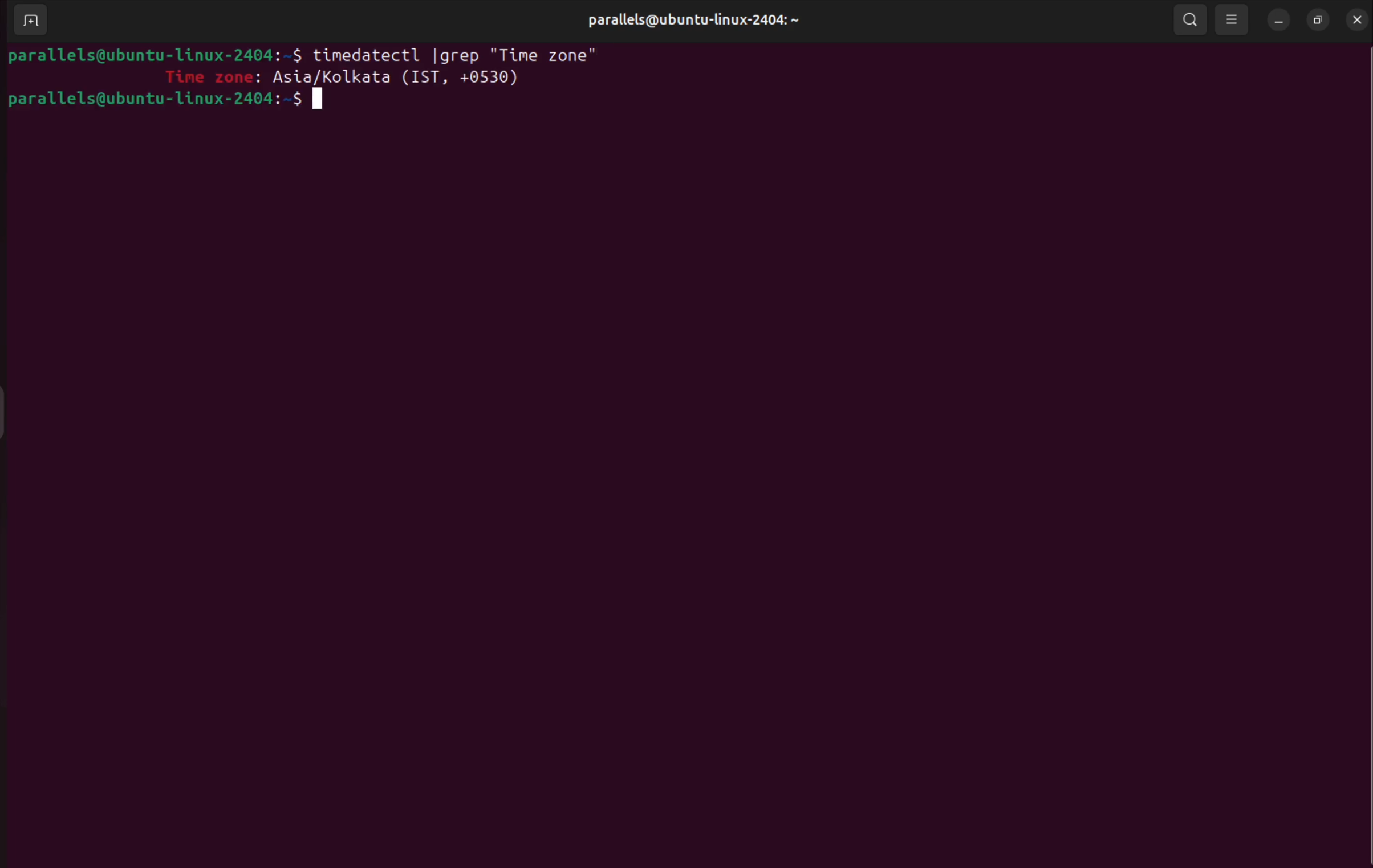 The image size is (1373, 868). I want to click on parallels@ubuntu-linux-2404:-$, so click(169, 104).